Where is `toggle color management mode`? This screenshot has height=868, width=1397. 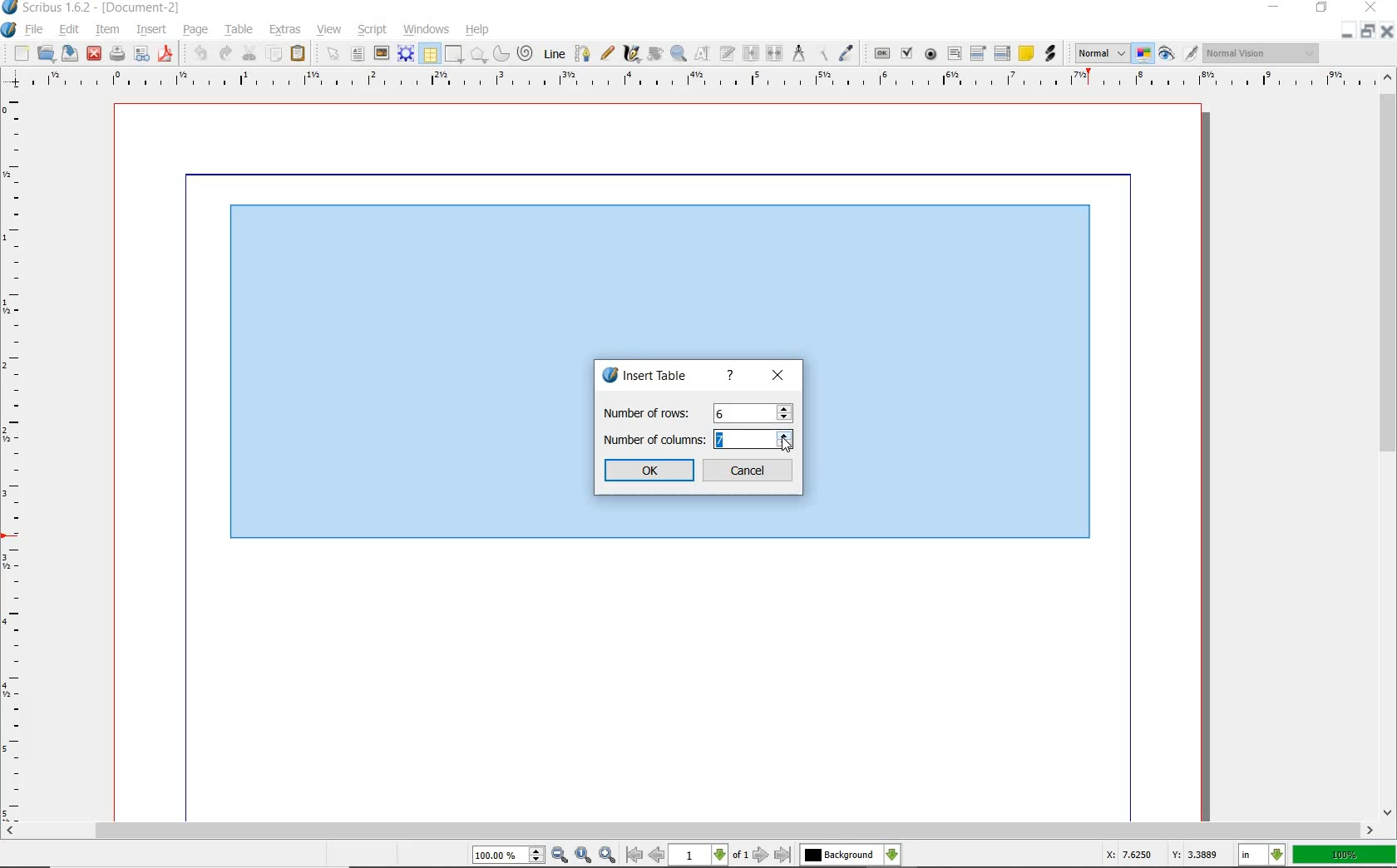
toggle color management mode is located at coordinates (1142, 53).